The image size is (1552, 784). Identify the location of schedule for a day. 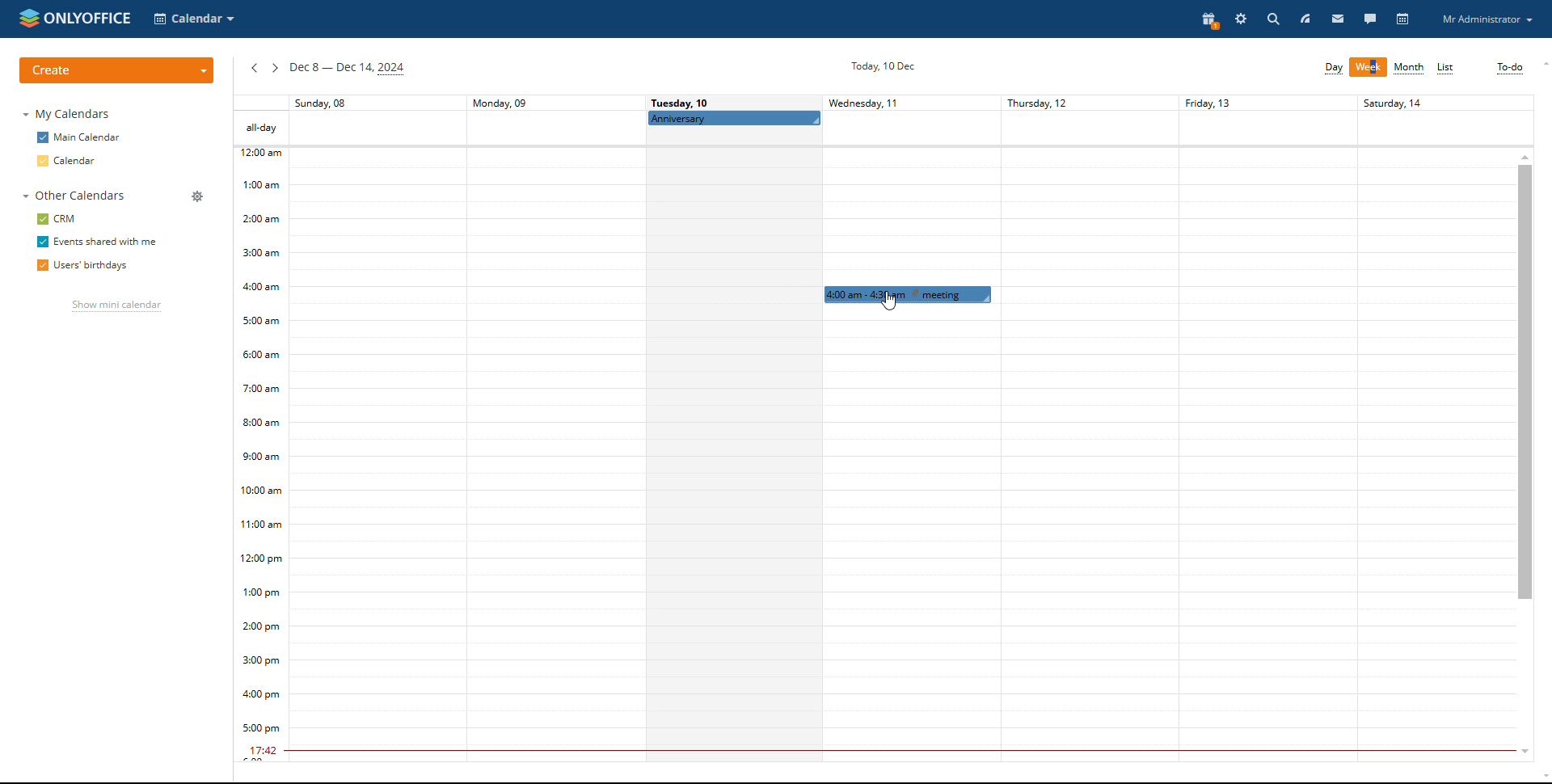
(734, 456).